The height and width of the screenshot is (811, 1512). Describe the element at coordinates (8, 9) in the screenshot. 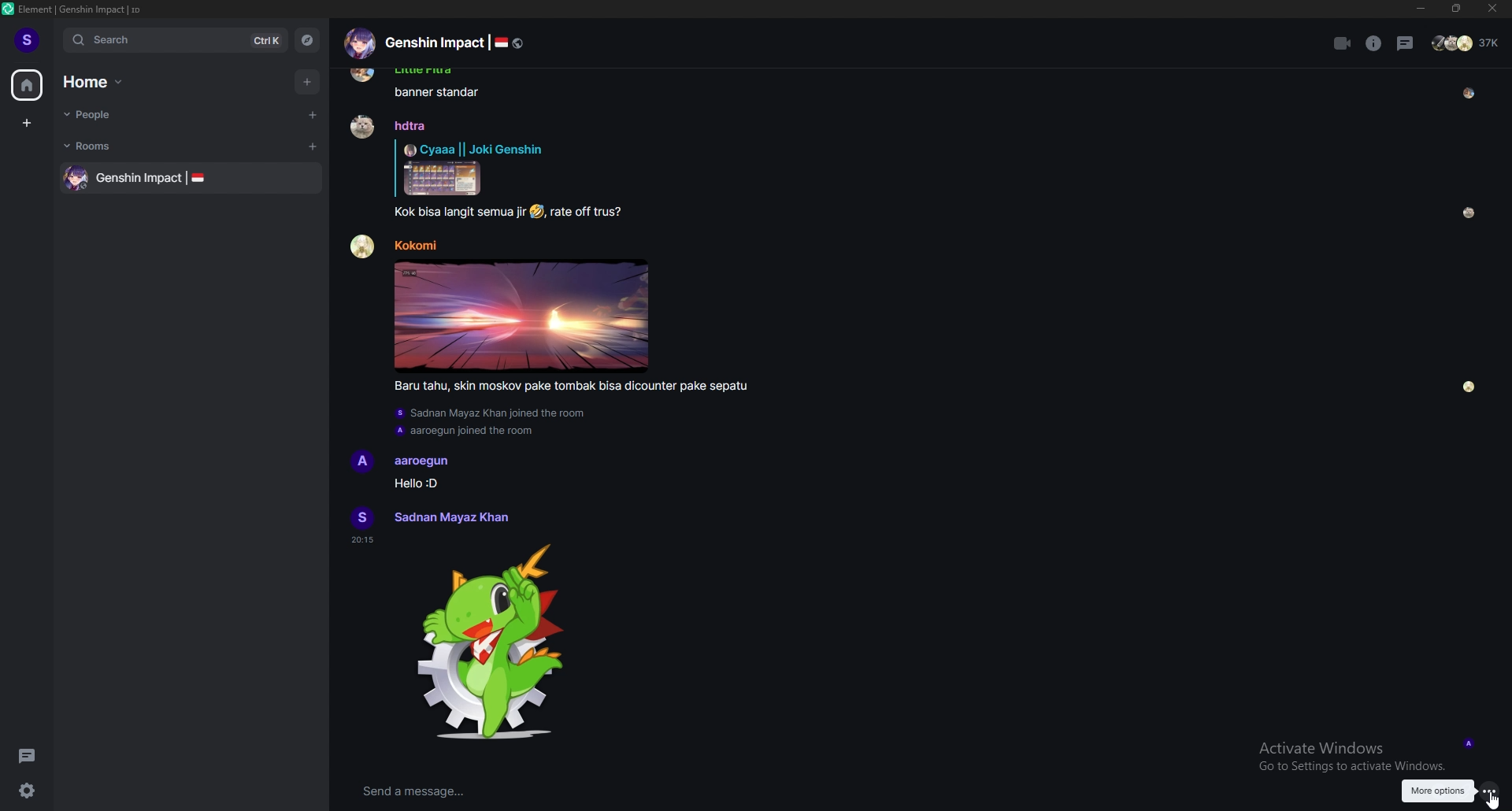

I see `Software logo` at that location.